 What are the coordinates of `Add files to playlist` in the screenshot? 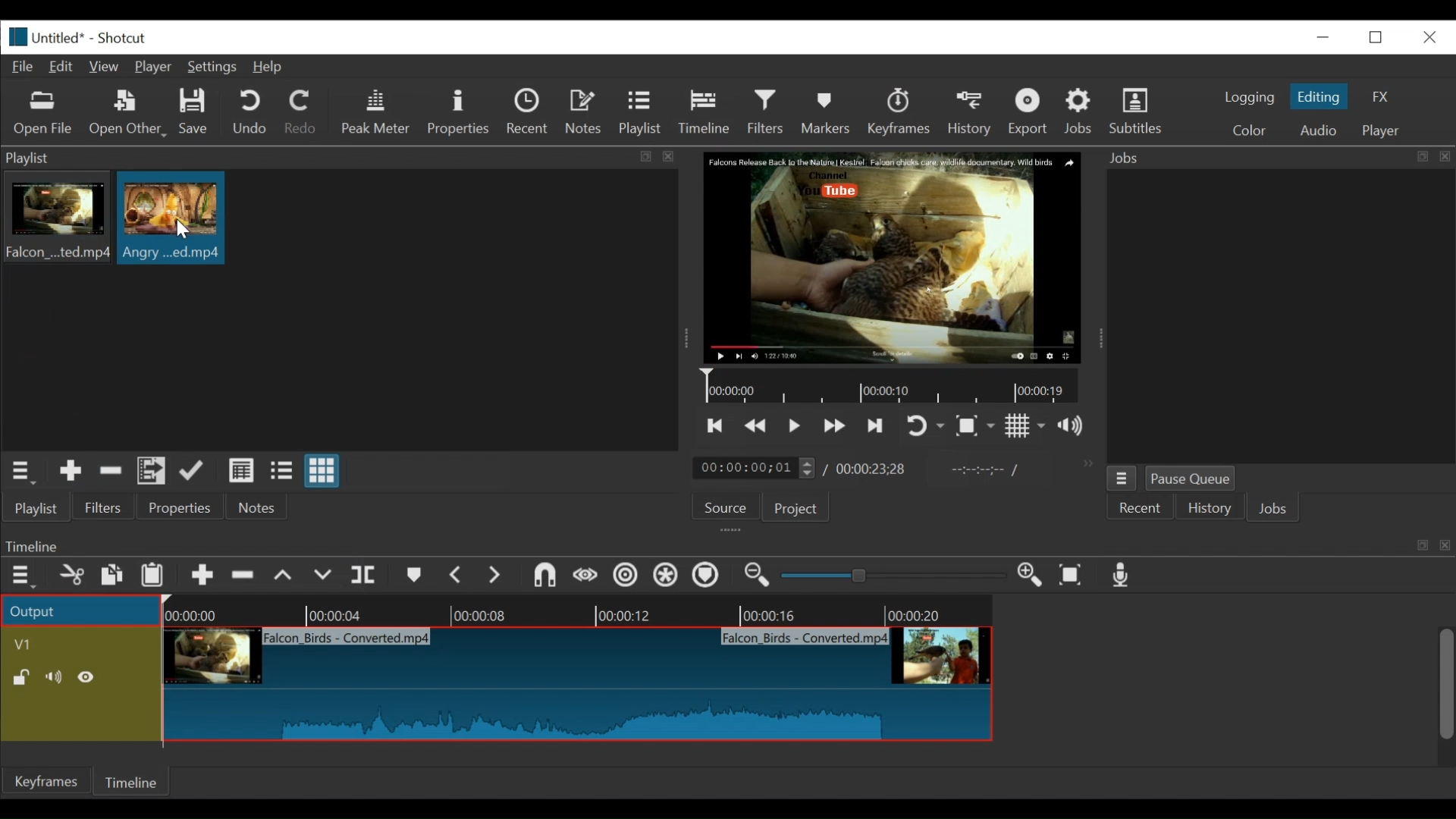 It's located at (152, 473).